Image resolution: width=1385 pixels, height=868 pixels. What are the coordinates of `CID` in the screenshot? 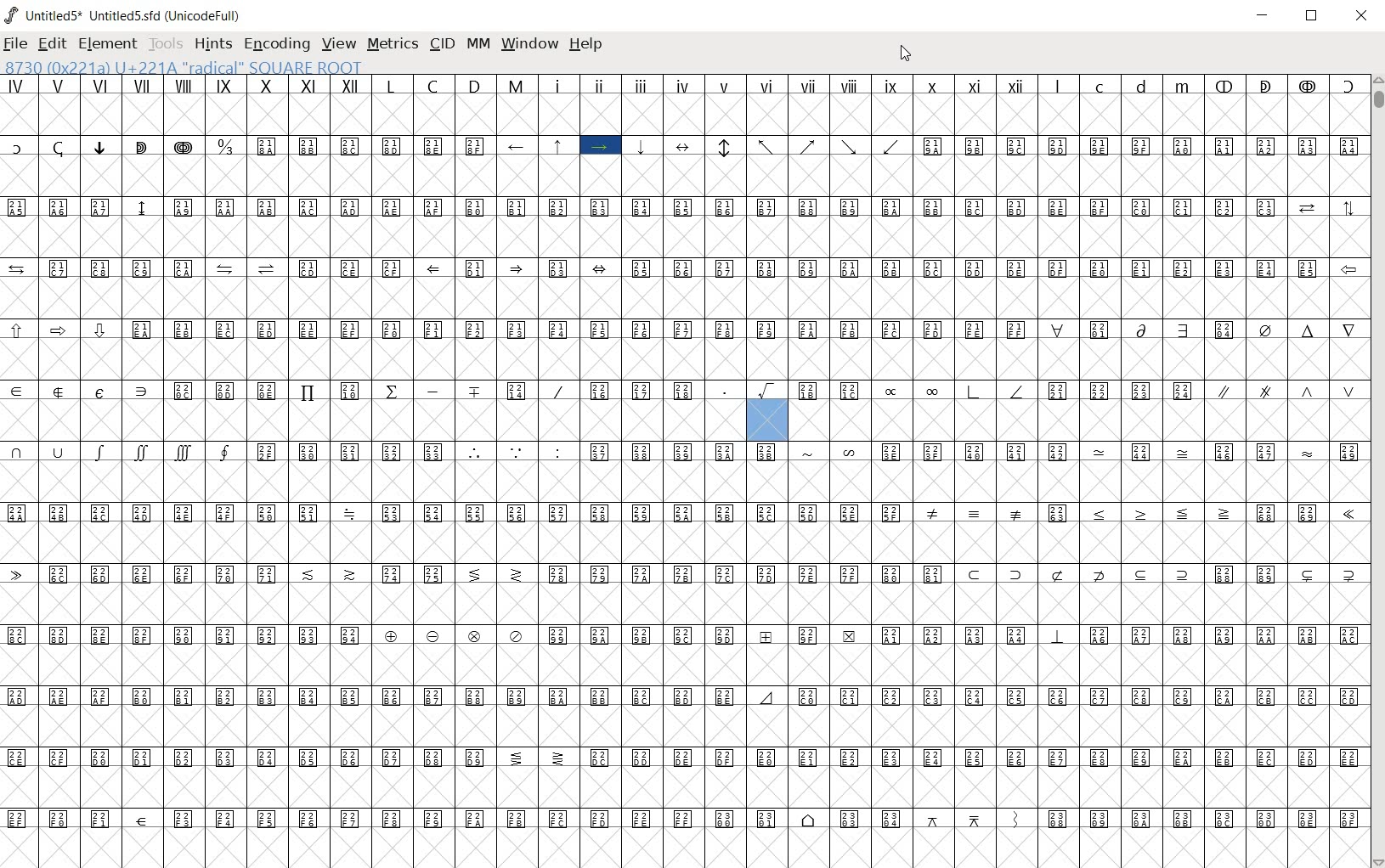 It's located at (441, 43).